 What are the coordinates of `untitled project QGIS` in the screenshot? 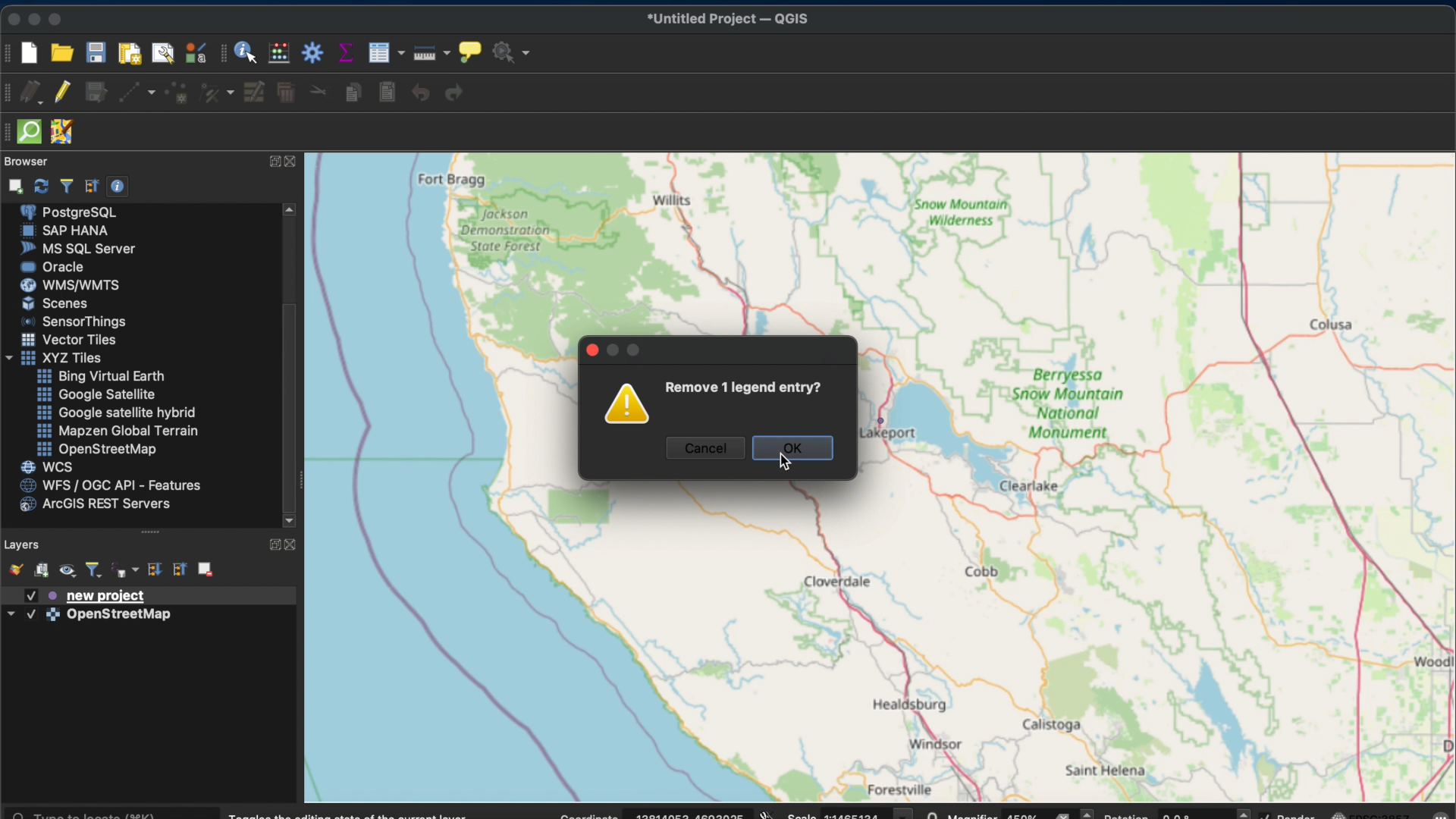 It's located at (727, 19).